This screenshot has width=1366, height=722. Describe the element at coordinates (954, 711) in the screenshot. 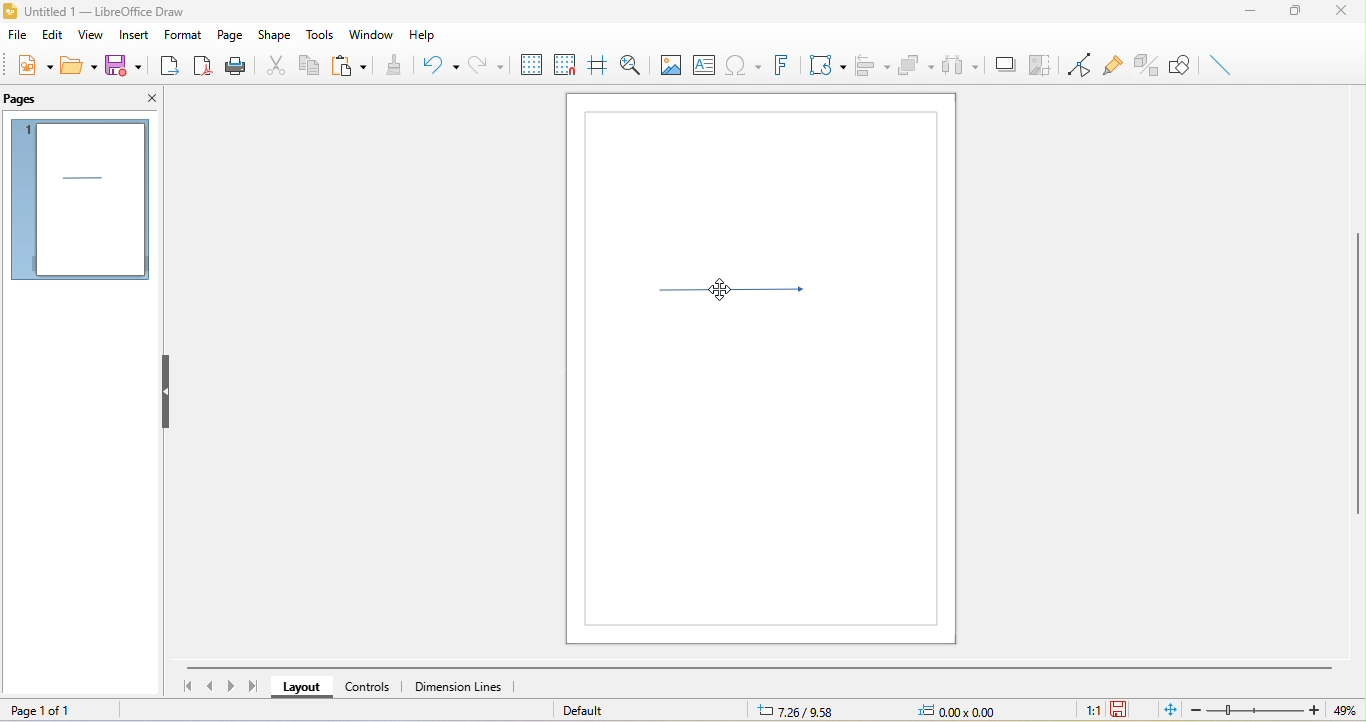

I see `0.00x0.00` at that location.